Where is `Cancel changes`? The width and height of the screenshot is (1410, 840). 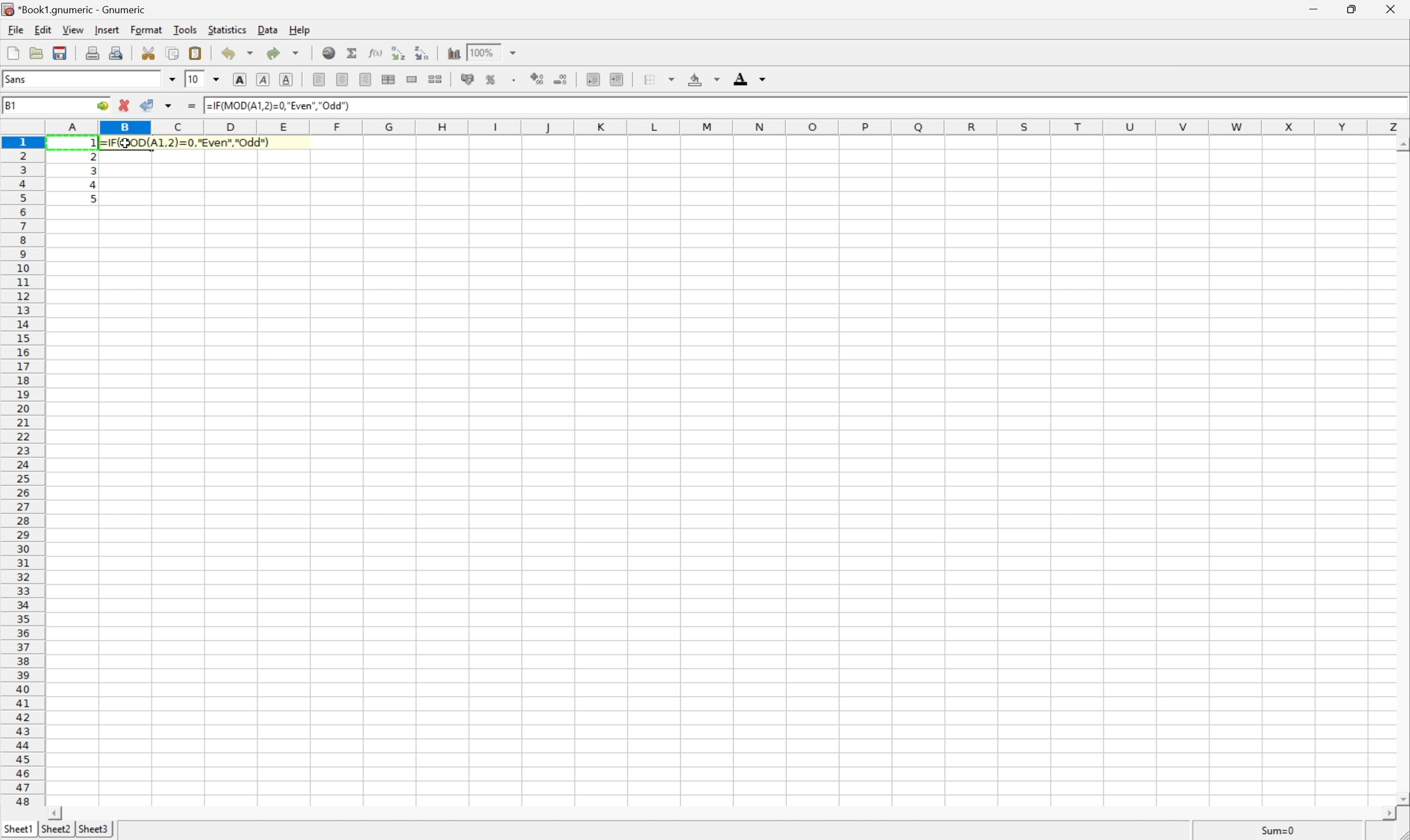
Cancel changes is located at coordinates (122, 104).